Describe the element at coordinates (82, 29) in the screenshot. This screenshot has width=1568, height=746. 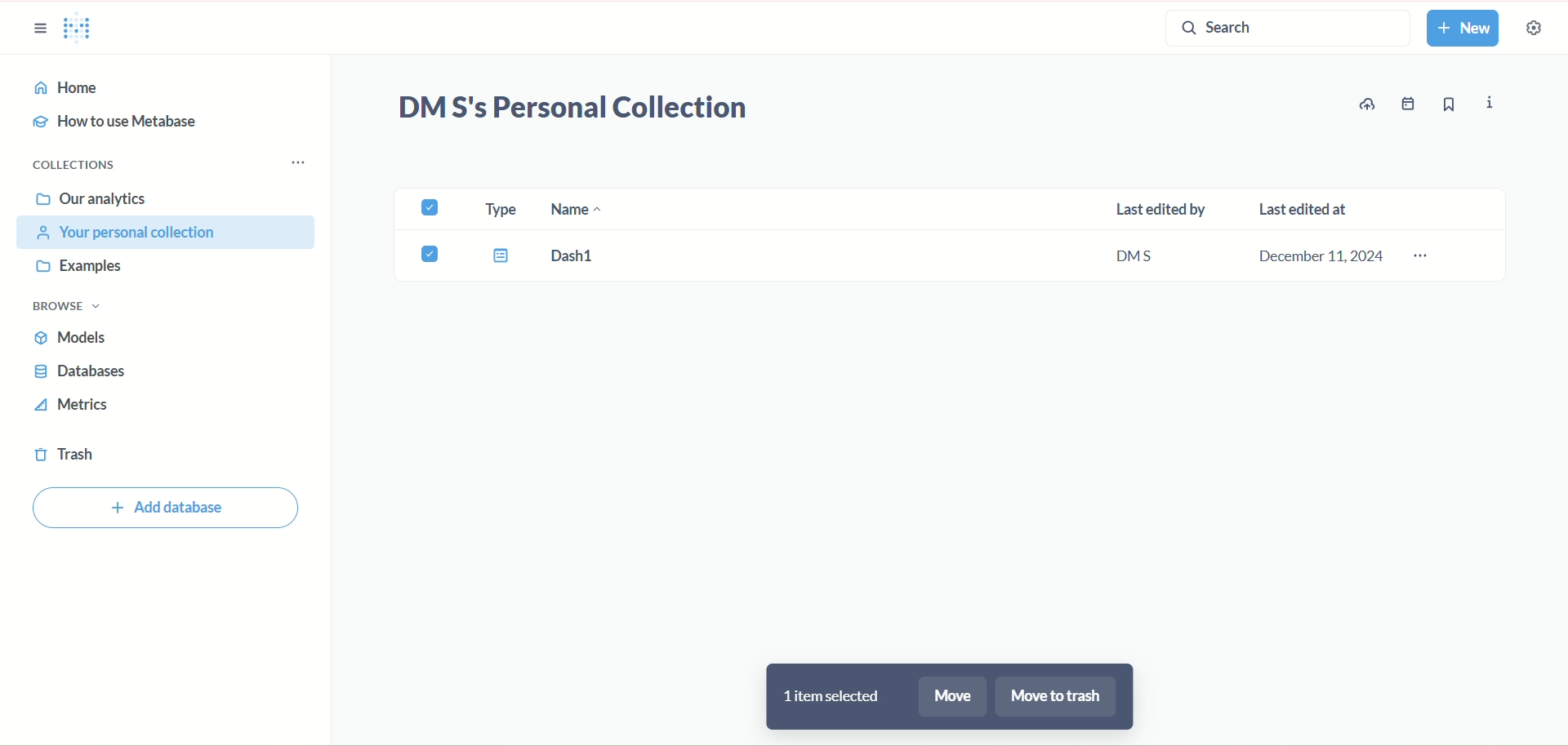
I see `logo` at that location.